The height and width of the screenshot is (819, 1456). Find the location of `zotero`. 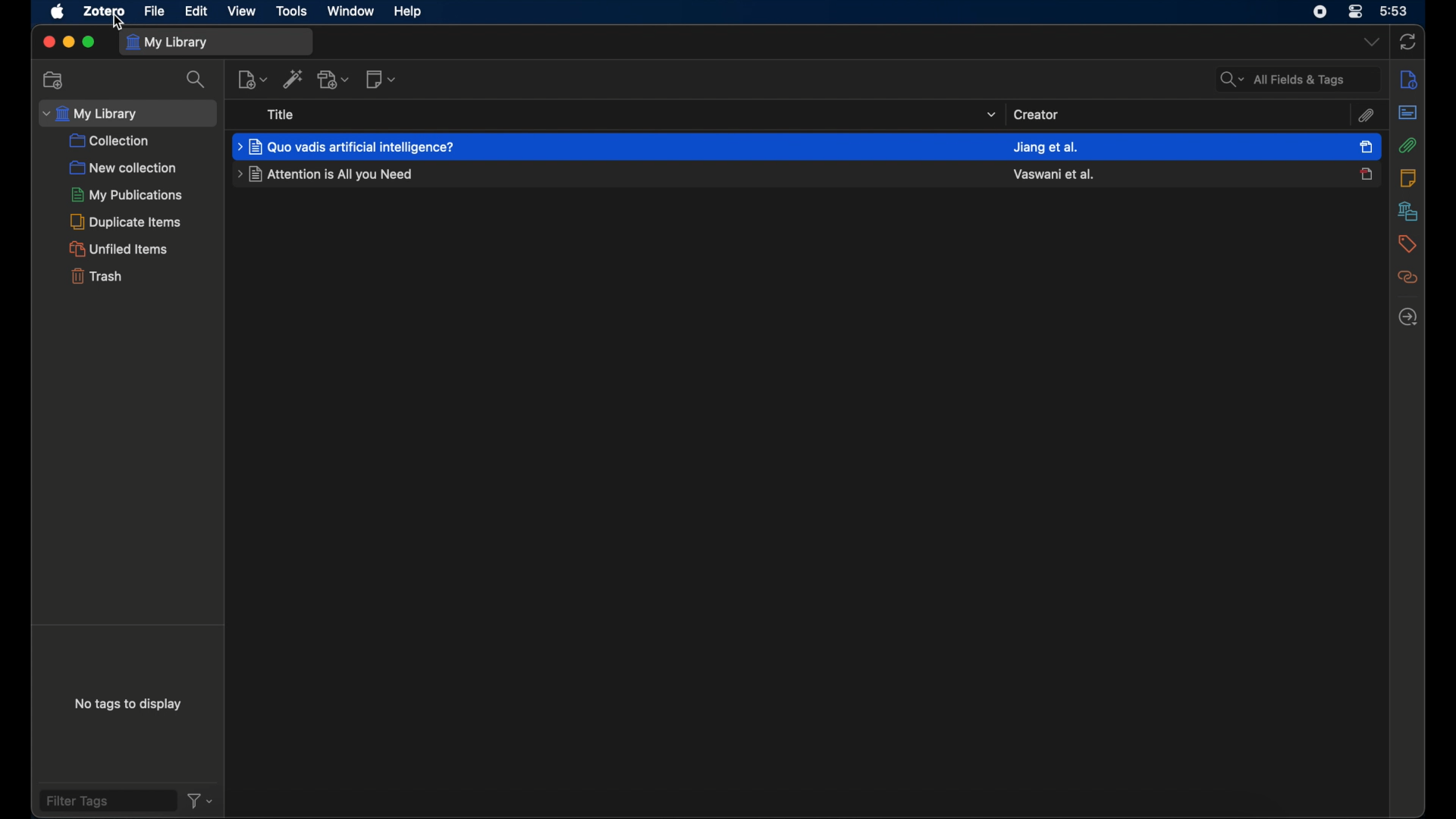

zotero is located at coordinates (105, 11).